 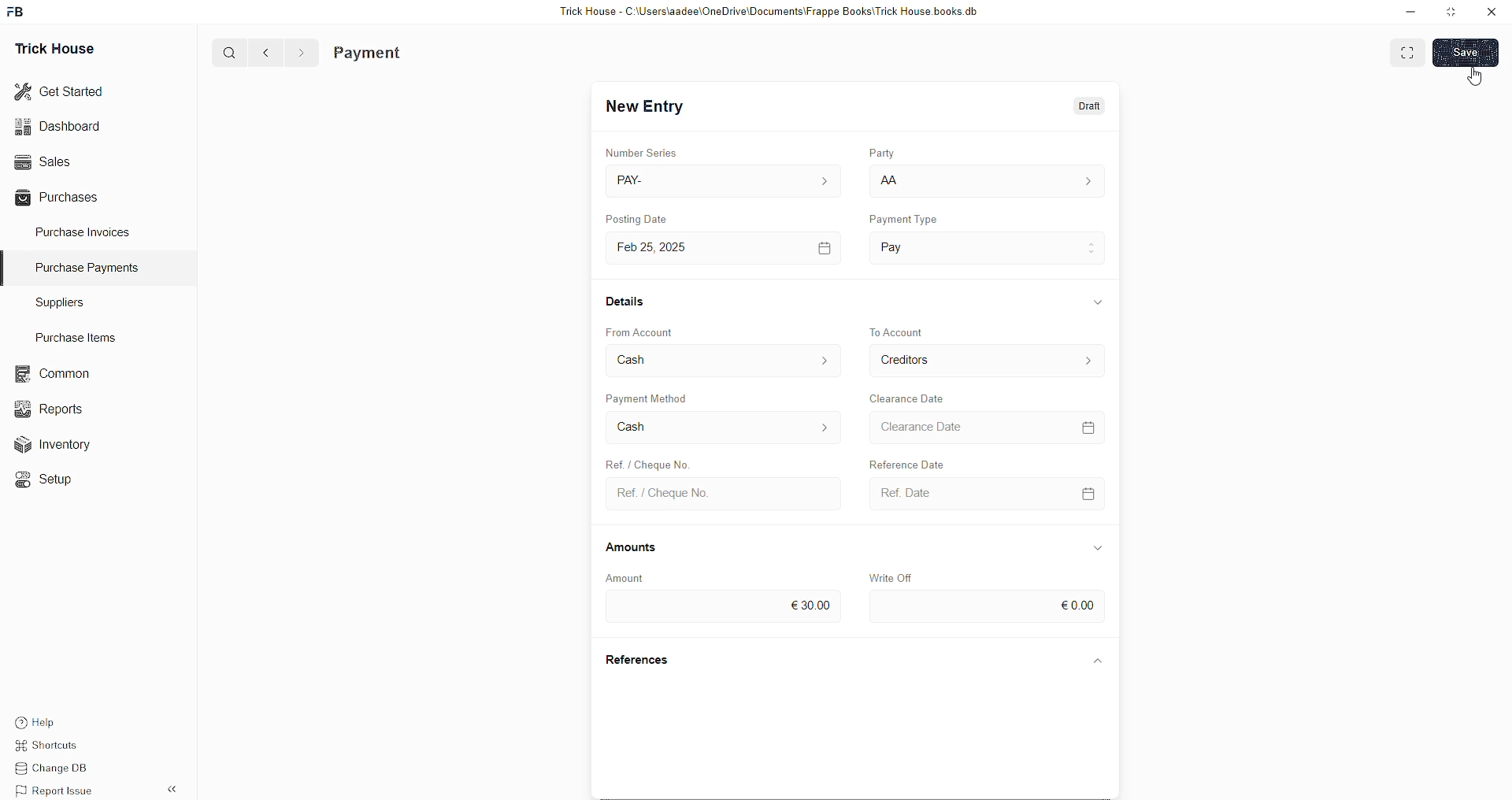 What do you see at coordinates (406, 53) in the screenshot?
I see `Purchase Invoice` at bounding box center [406, 53].